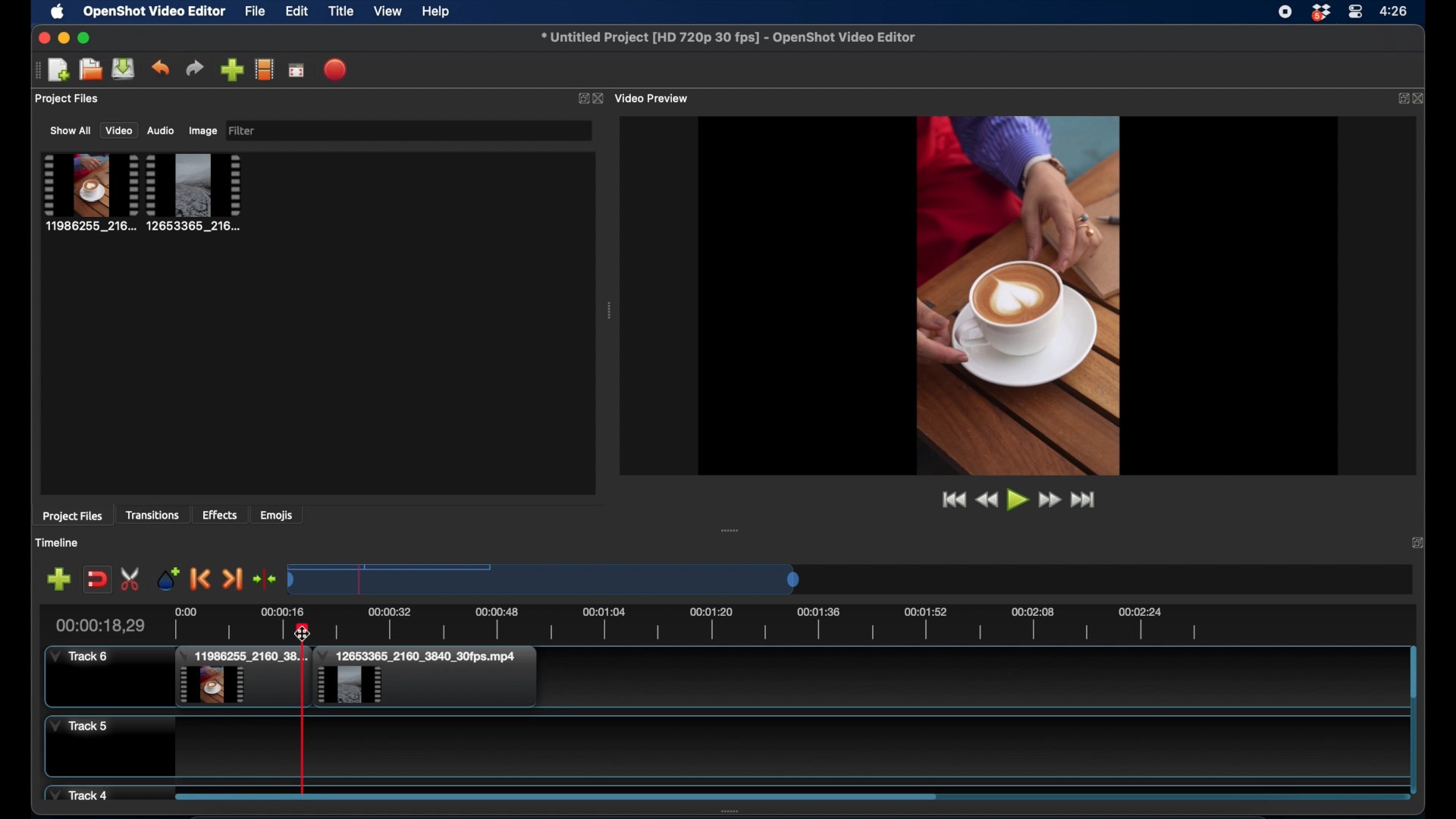 The image size is (1456, 819). Describe the element at coordinates (751, 621) in the screenshot. I see `timeline` at that location.